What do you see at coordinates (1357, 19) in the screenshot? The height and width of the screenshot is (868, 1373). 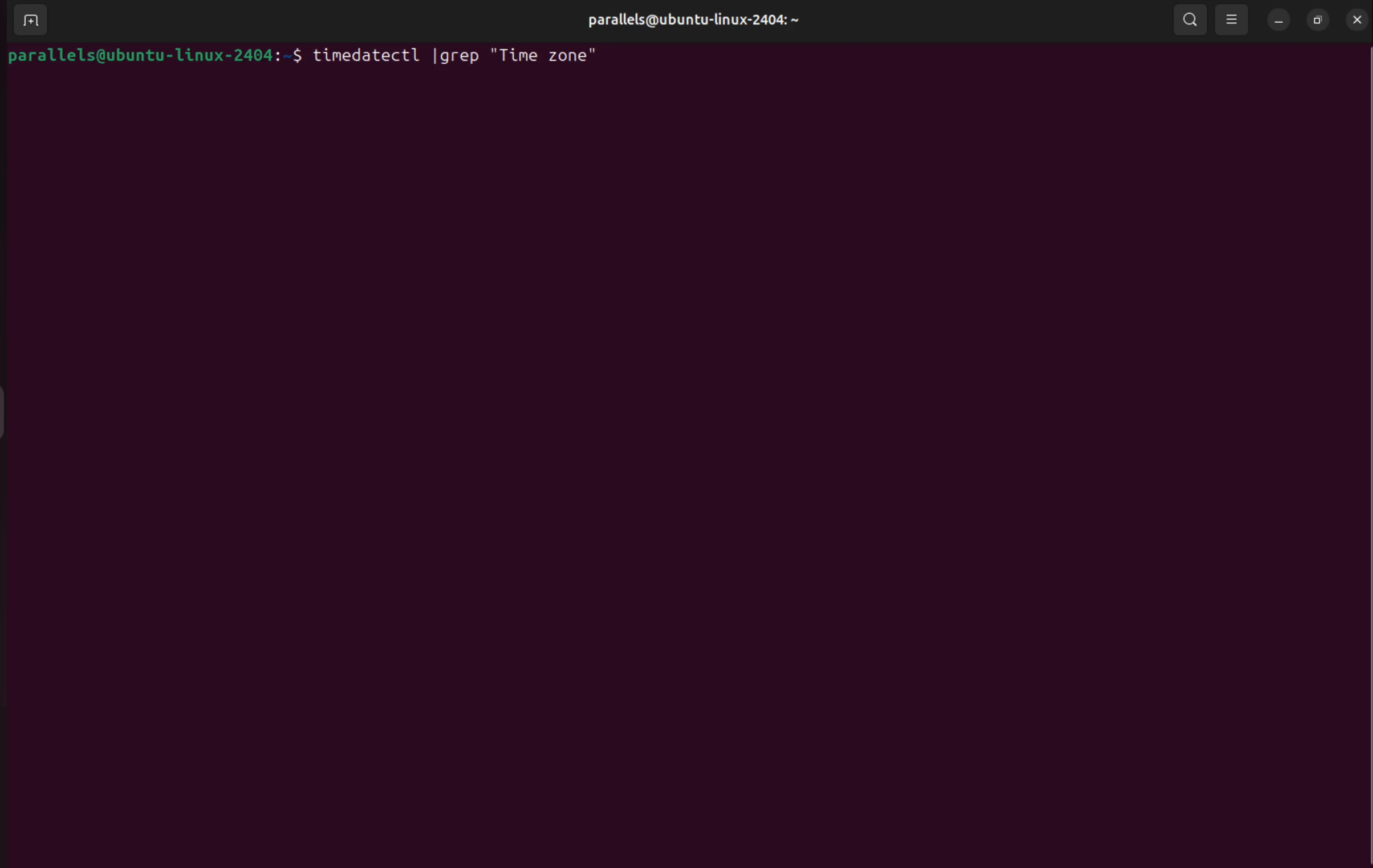 I see `close` at bounding box center [1357, 19].